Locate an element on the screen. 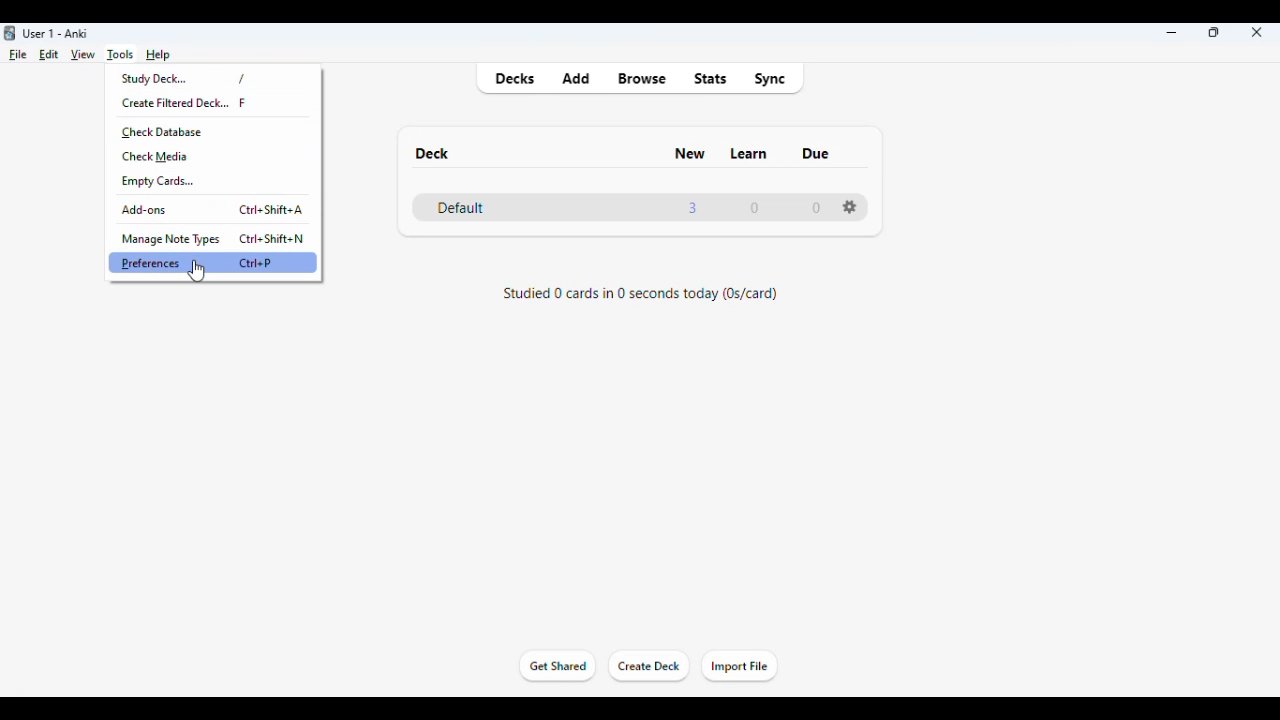 The height and width of the screenshot is (720, 1280). empty cards is located at coordinates (158, 182).